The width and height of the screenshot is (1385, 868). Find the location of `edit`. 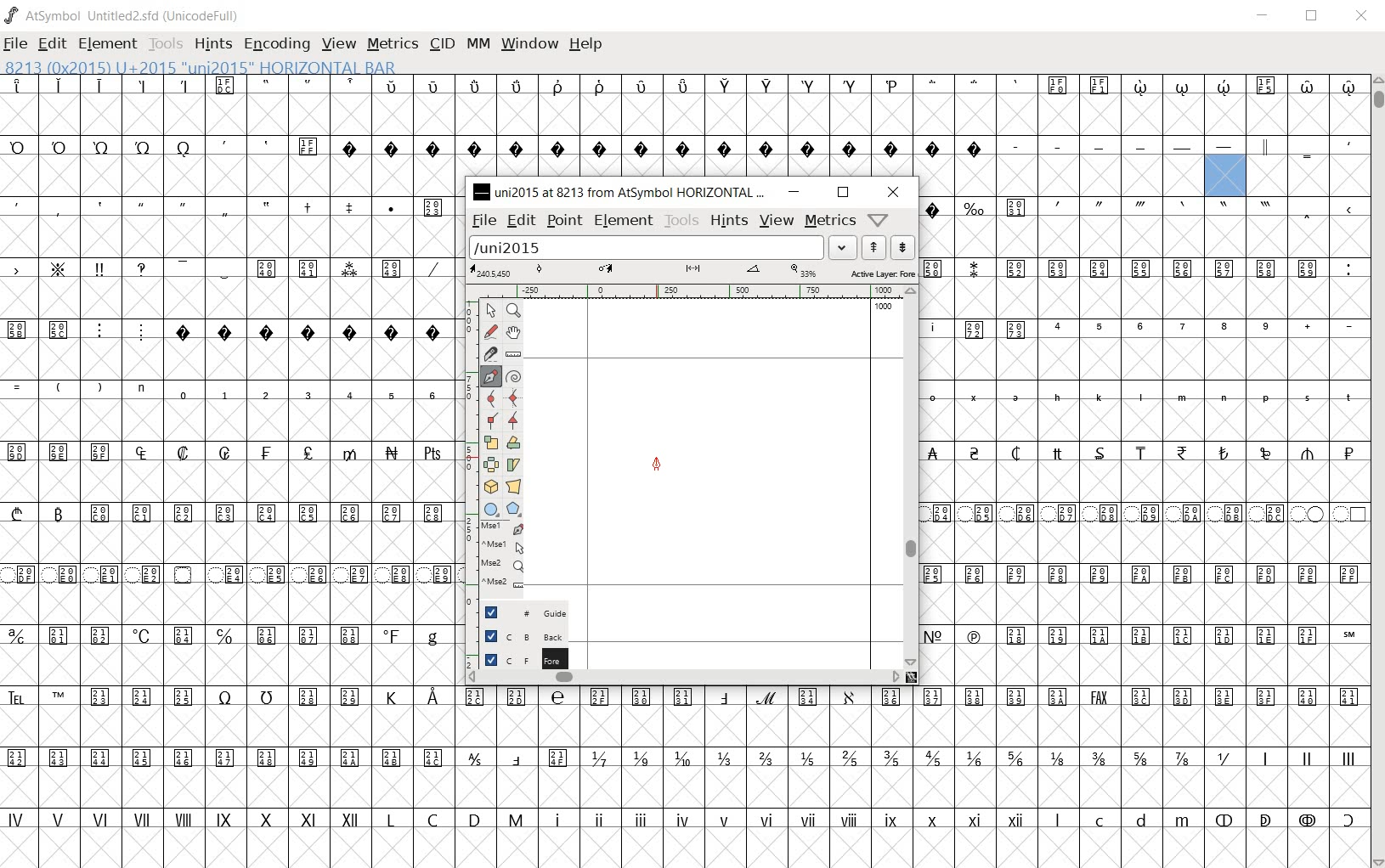

edit is located at coordinates (522, 222).